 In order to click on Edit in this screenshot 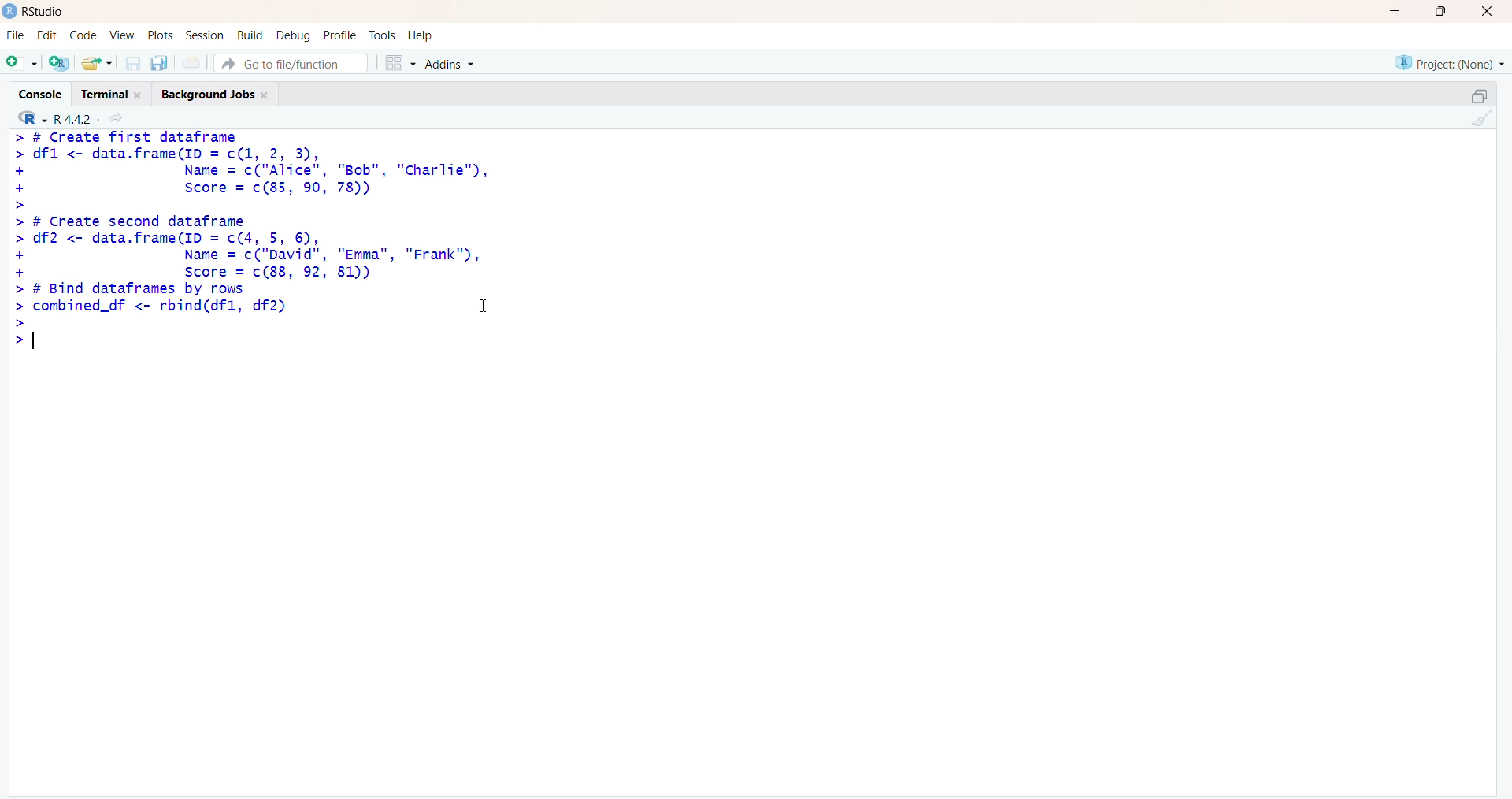, I will do `click(50, 34)`.